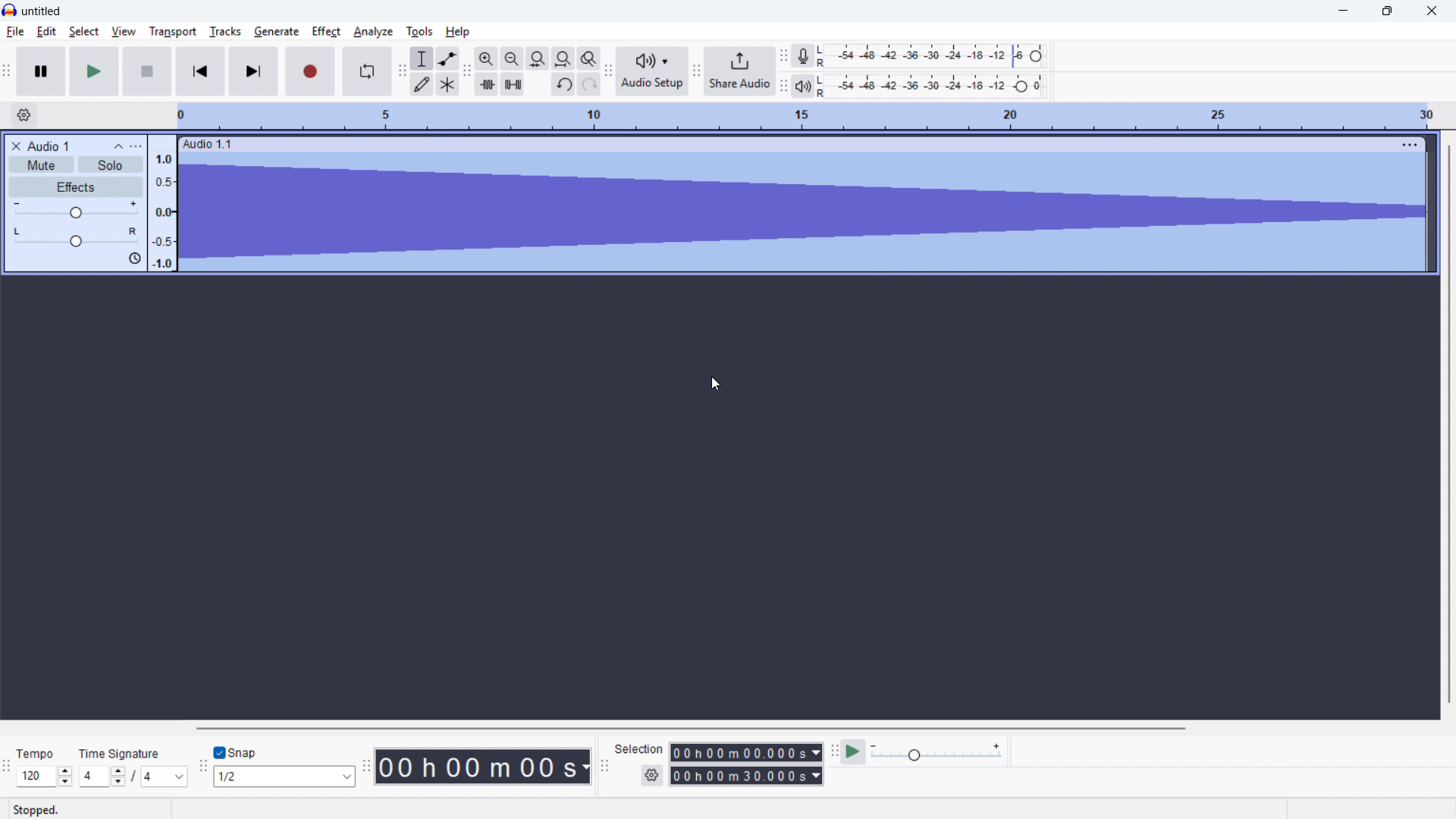  Describe the element at coordinates (49, 146) in the screenshot. I see `Audio 1` at that location.